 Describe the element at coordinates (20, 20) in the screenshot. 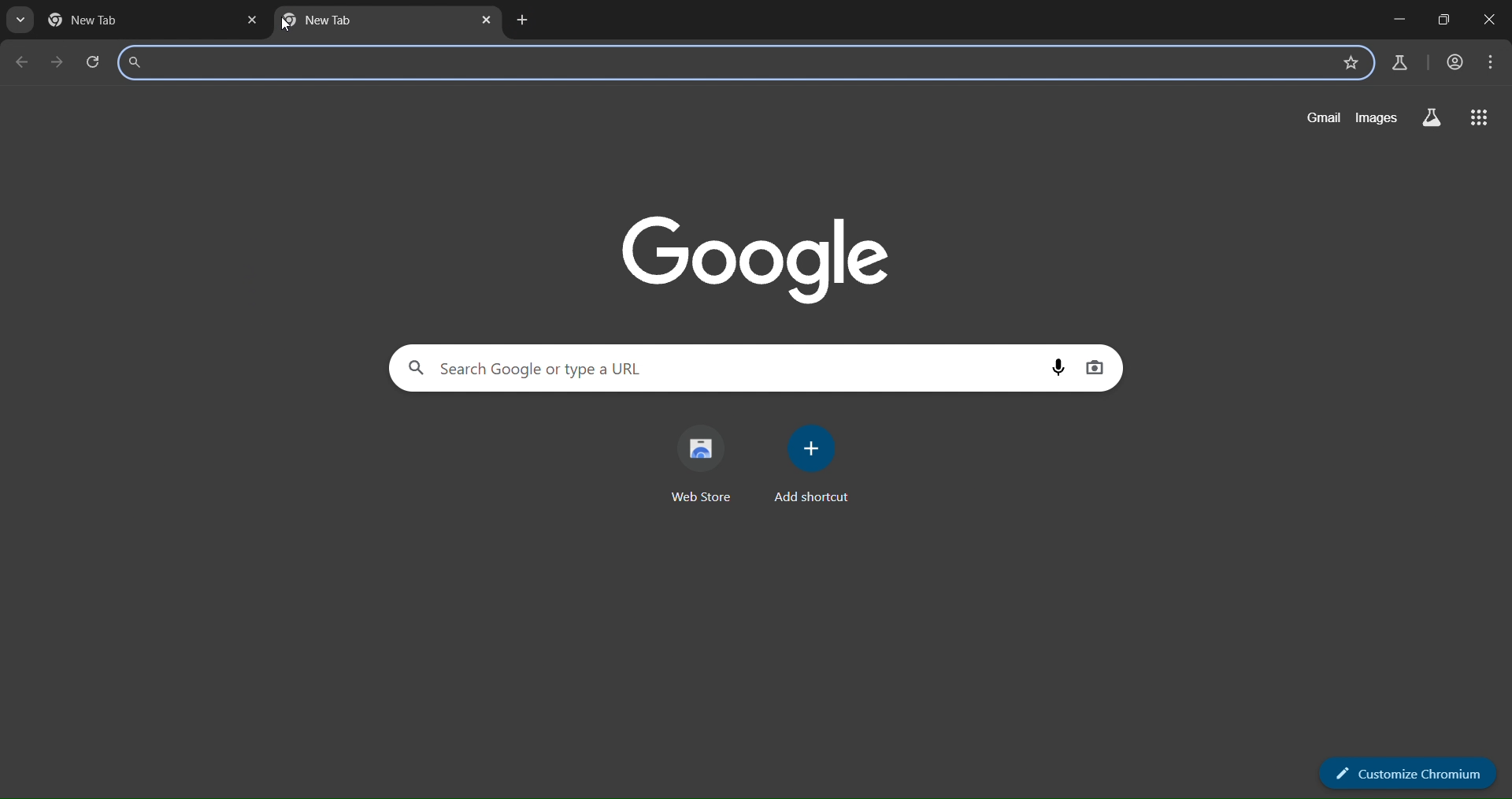

I see `search tabs` at that location.